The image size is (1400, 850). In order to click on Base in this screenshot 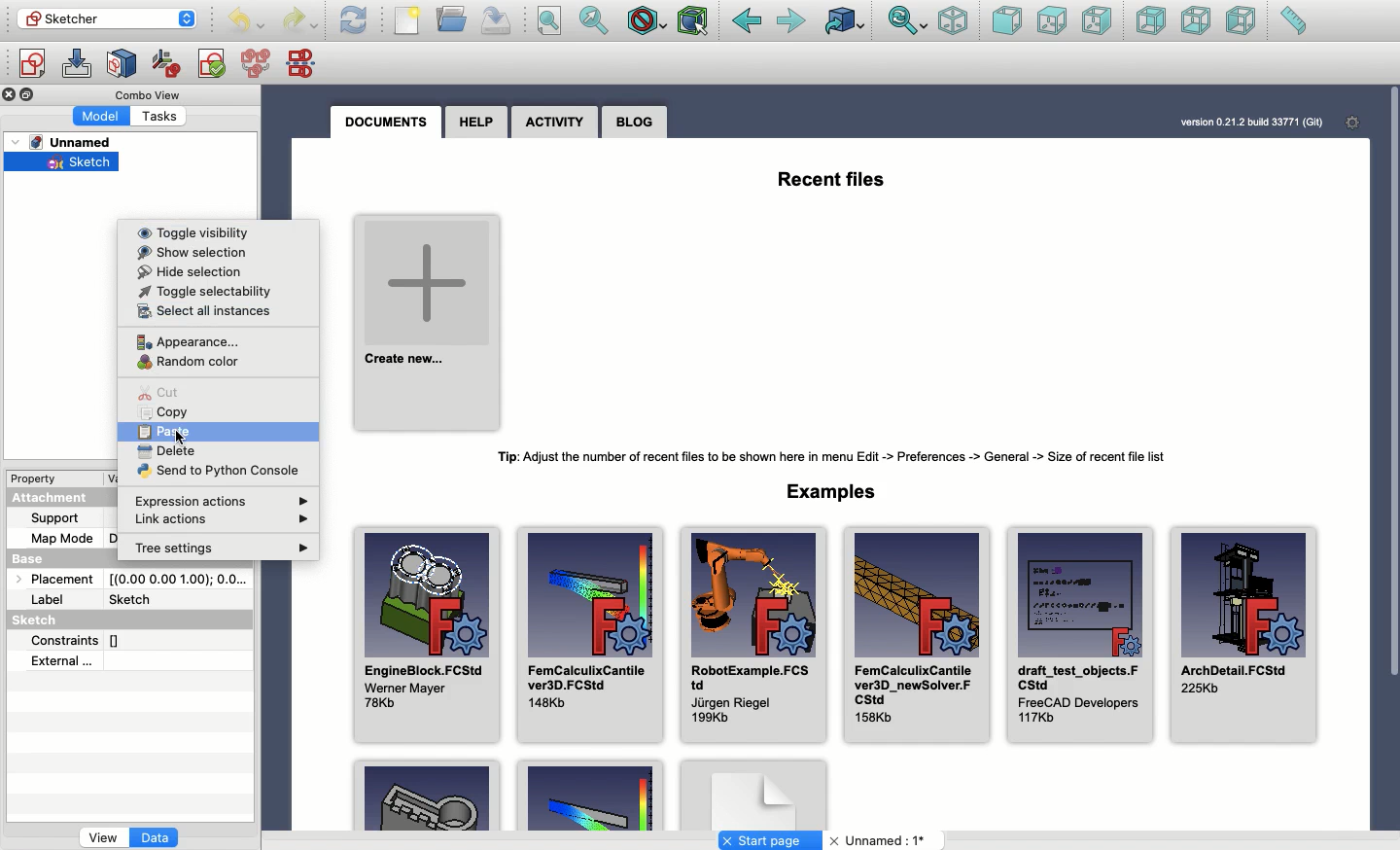, I will do `click(47, 555)`.